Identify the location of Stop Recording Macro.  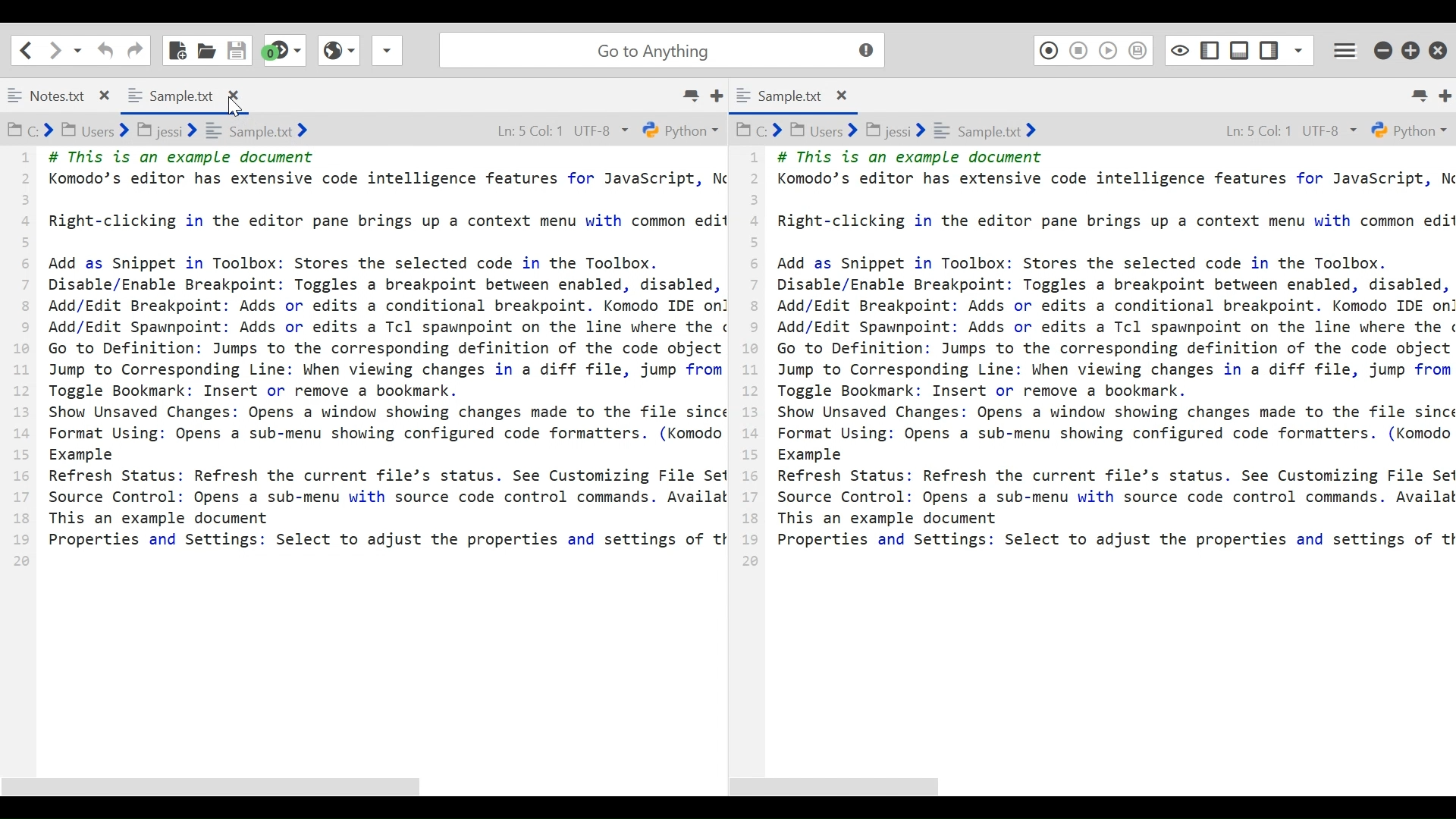
(1078, 50).